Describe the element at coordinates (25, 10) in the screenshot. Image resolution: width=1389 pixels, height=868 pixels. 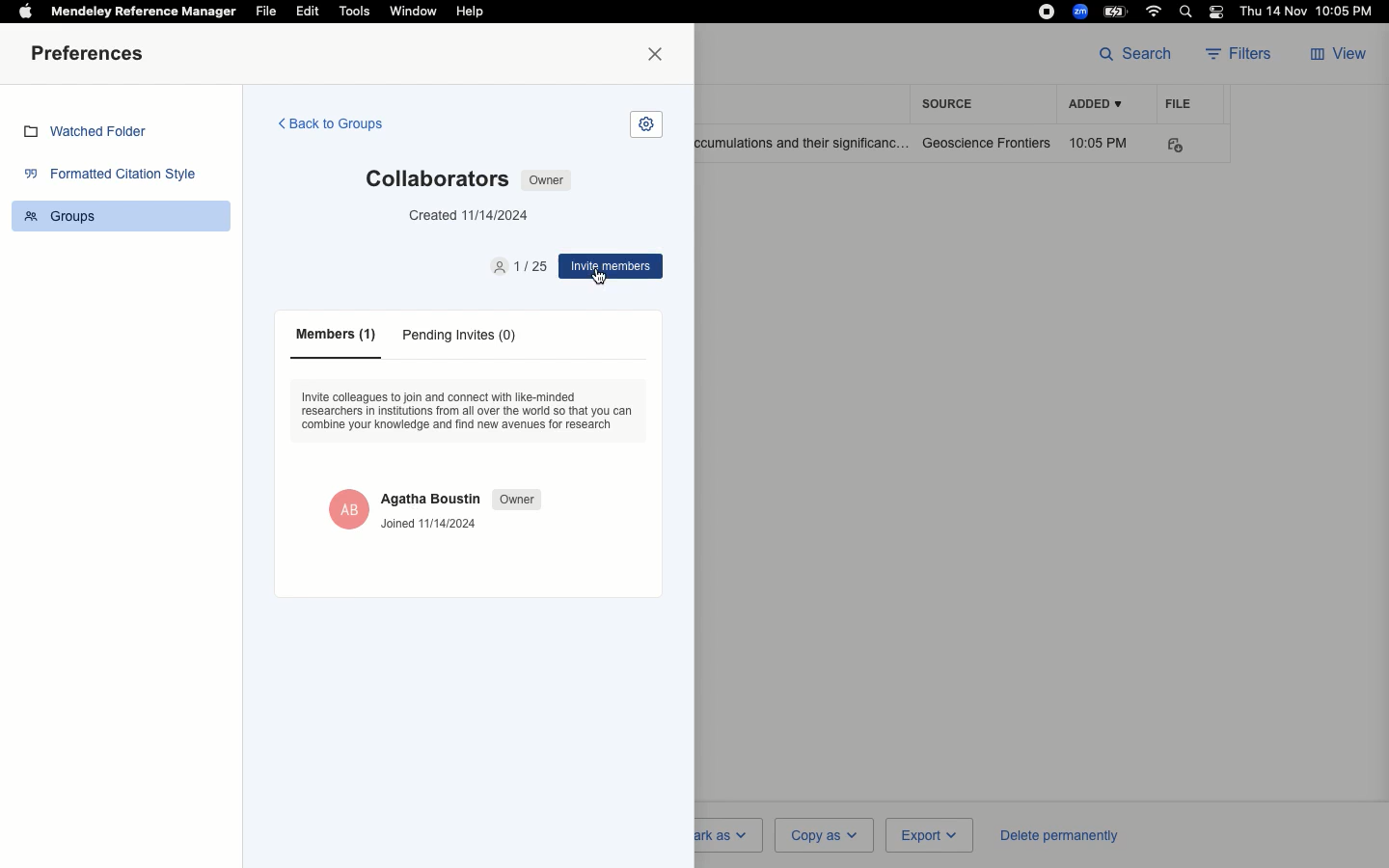
I see `Apple logo` at that location.